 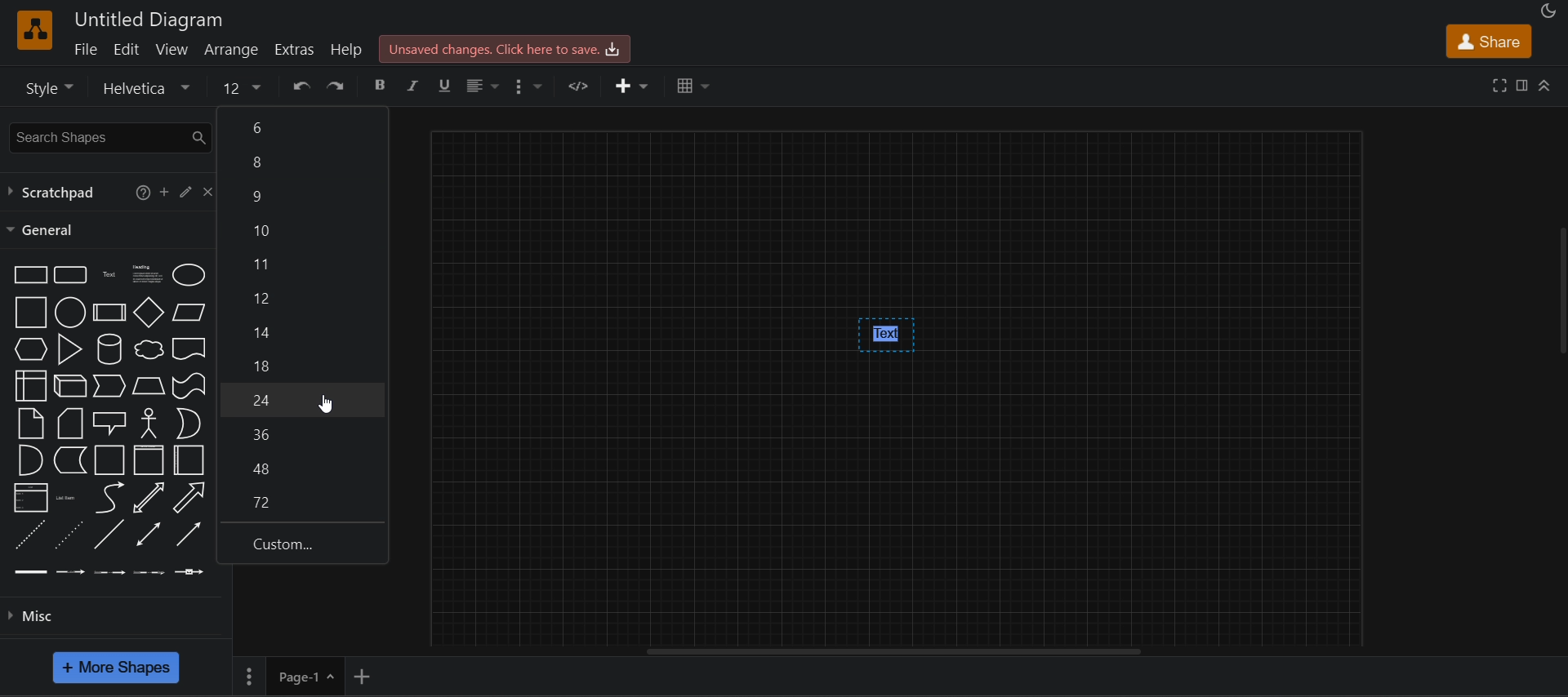 I want to click on Directional connector, so click(x=189, y=535).